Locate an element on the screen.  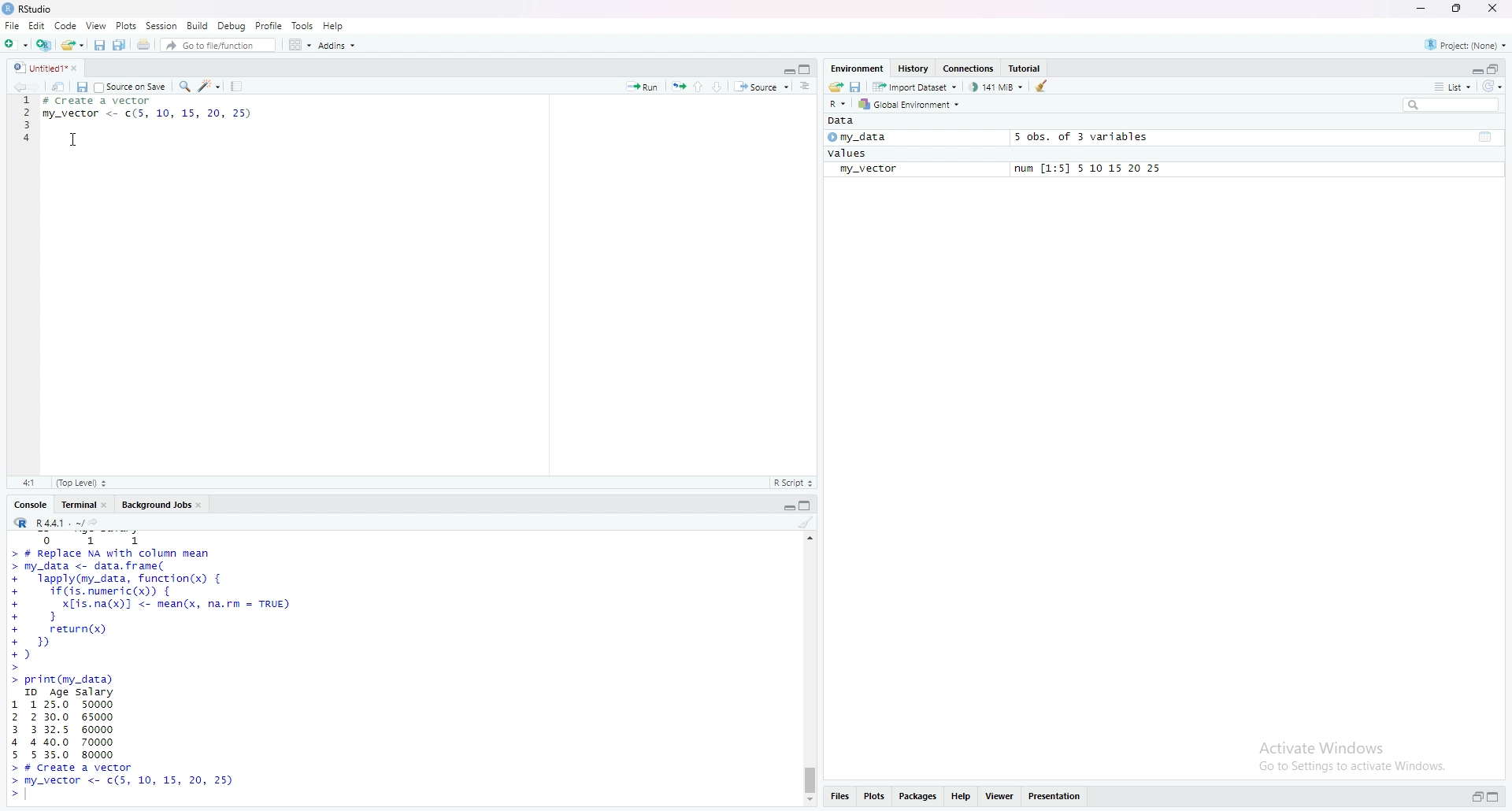
save current document is located at coordinates (82, 87).